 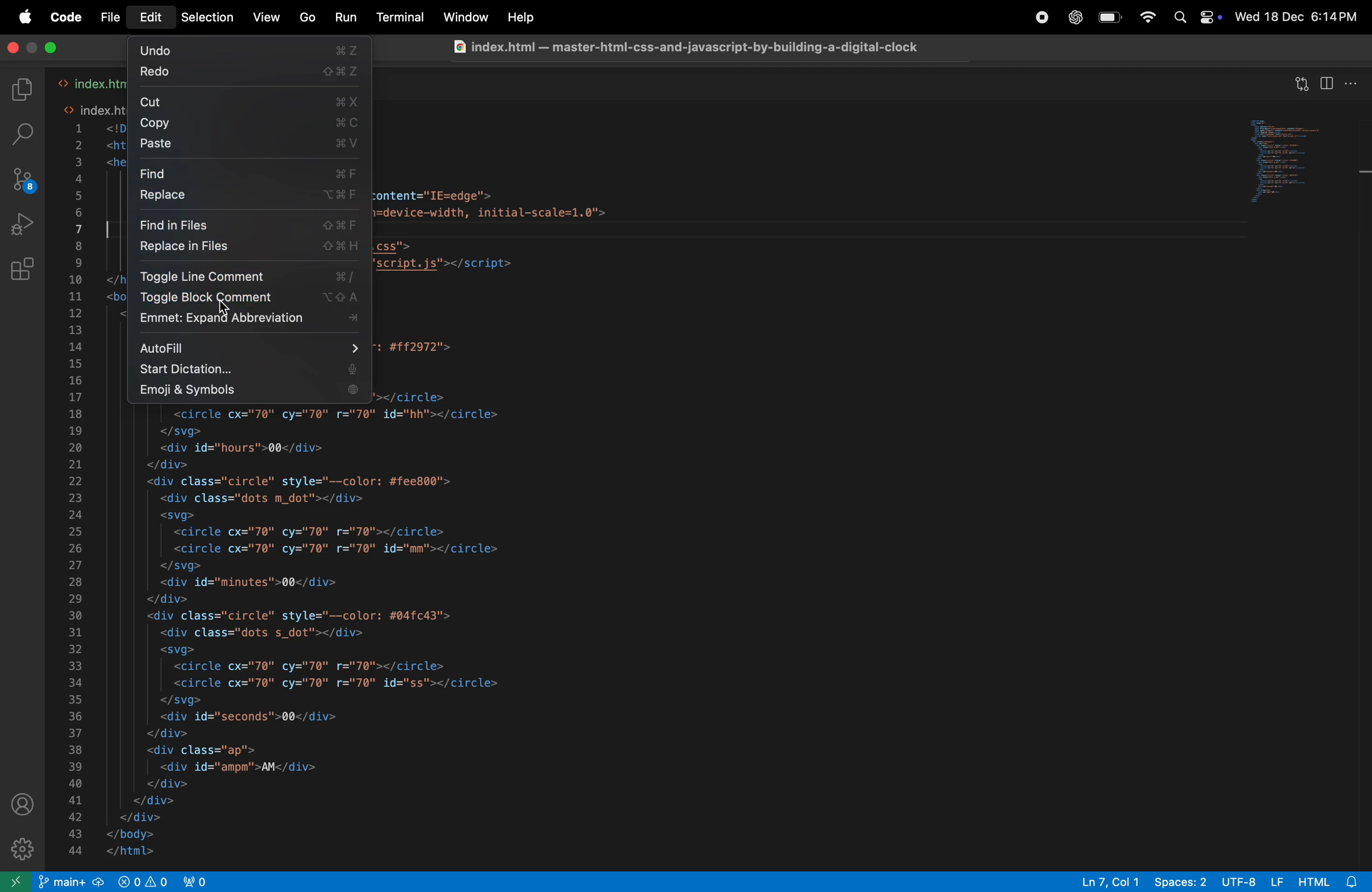 What do you see at coordinates (307, 18) in the screenshot?
I see `Go` at bounding box center [307, 18].